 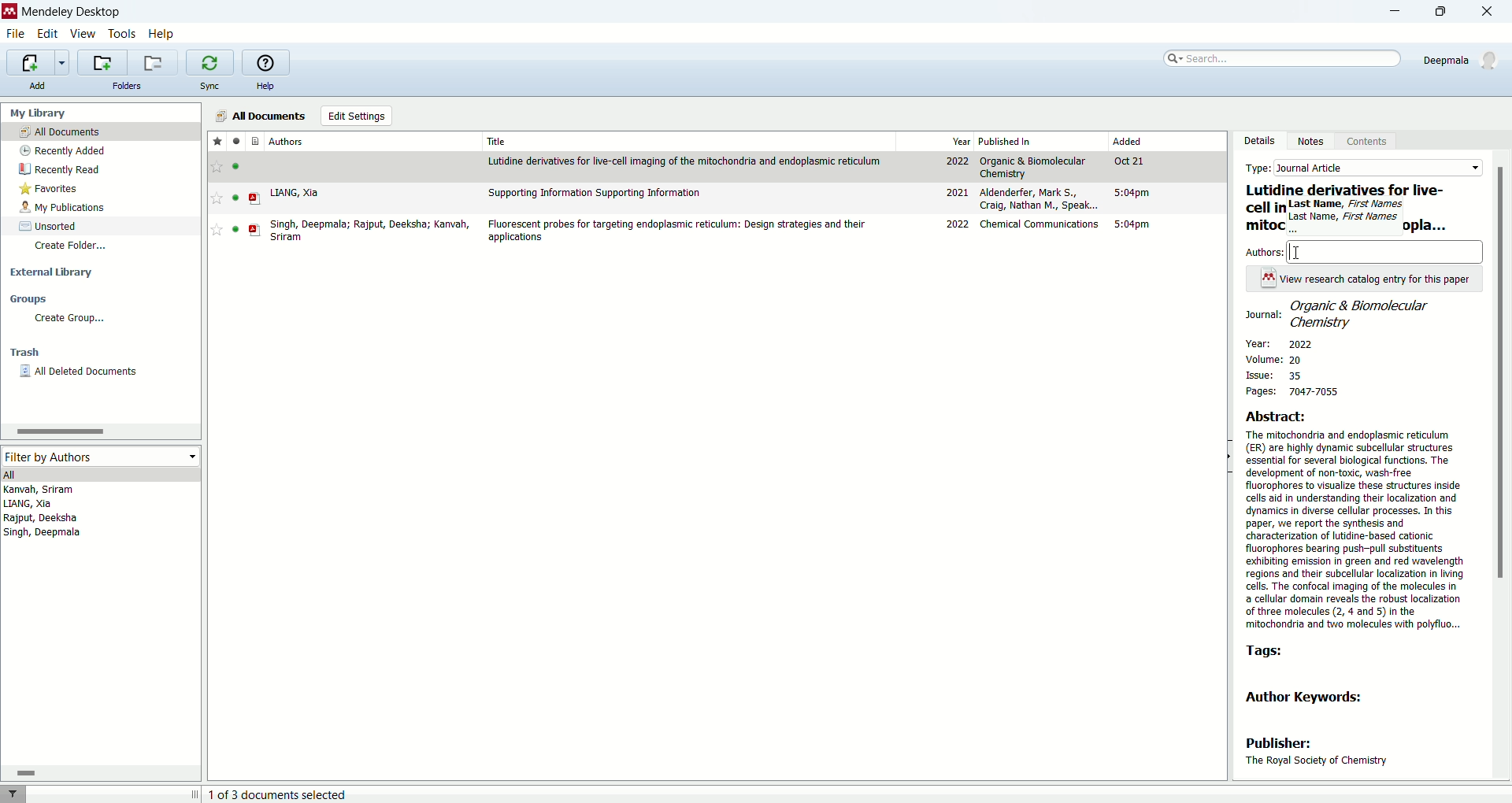 I want to click on Rajput, Deeksha, so click(x=39, y=518).